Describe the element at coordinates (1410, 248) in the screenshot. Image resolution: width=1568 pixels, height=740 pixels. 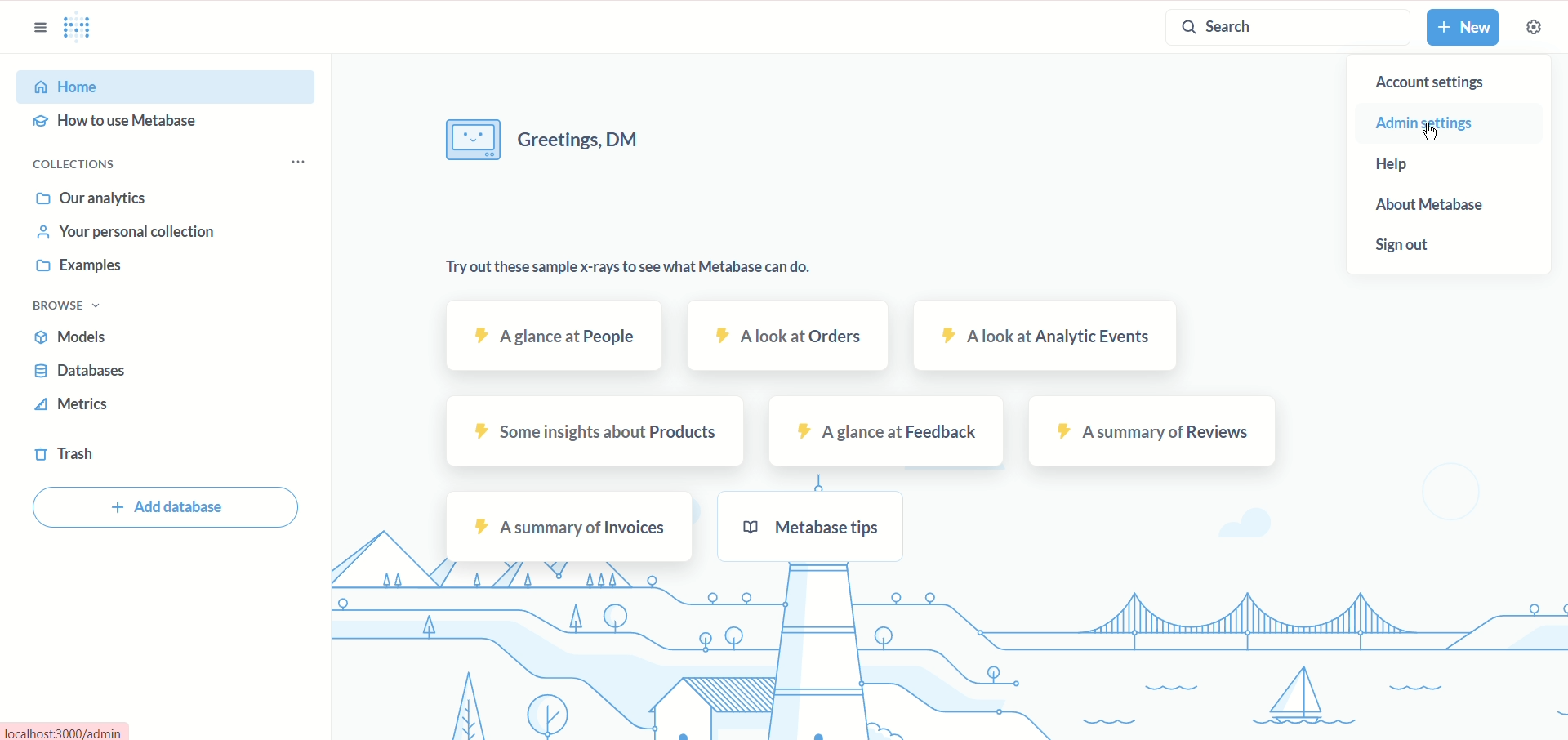
I see `Sign out` at that location.